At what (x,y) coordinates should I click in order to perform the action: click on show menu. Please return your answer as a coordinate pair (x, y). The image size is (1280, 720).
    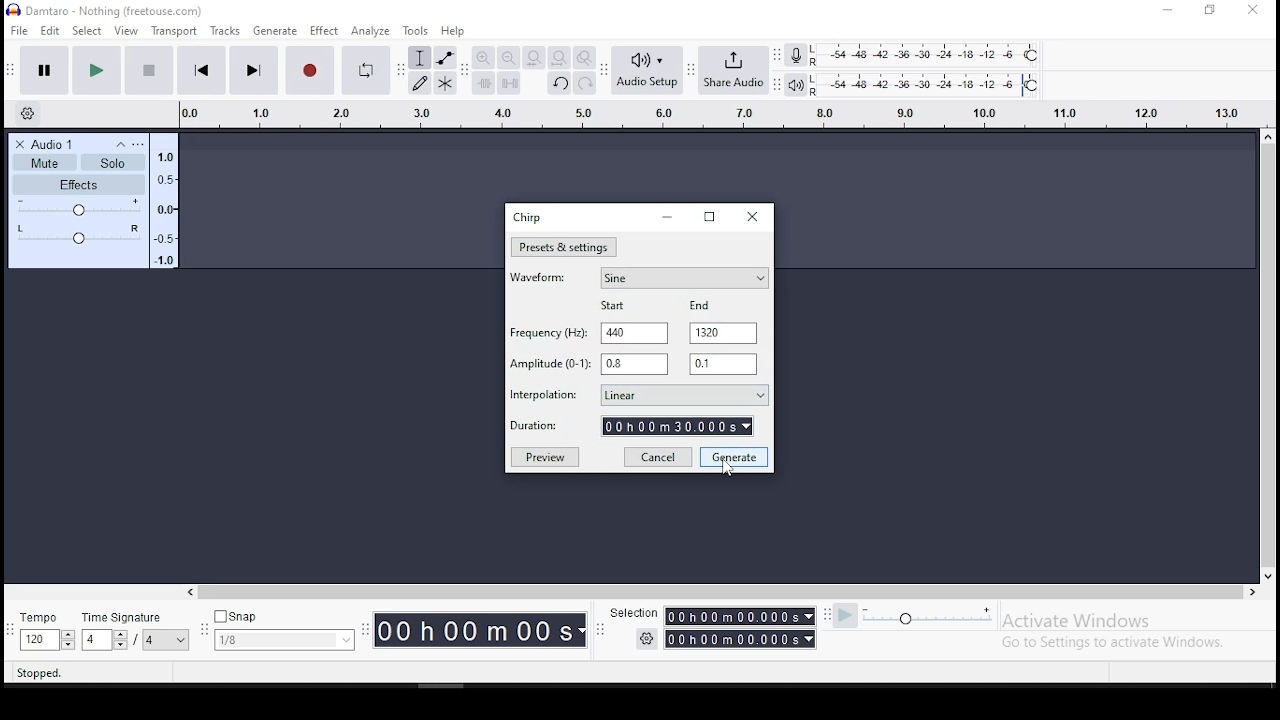
    Looking at the image, I should click on (366, 639).